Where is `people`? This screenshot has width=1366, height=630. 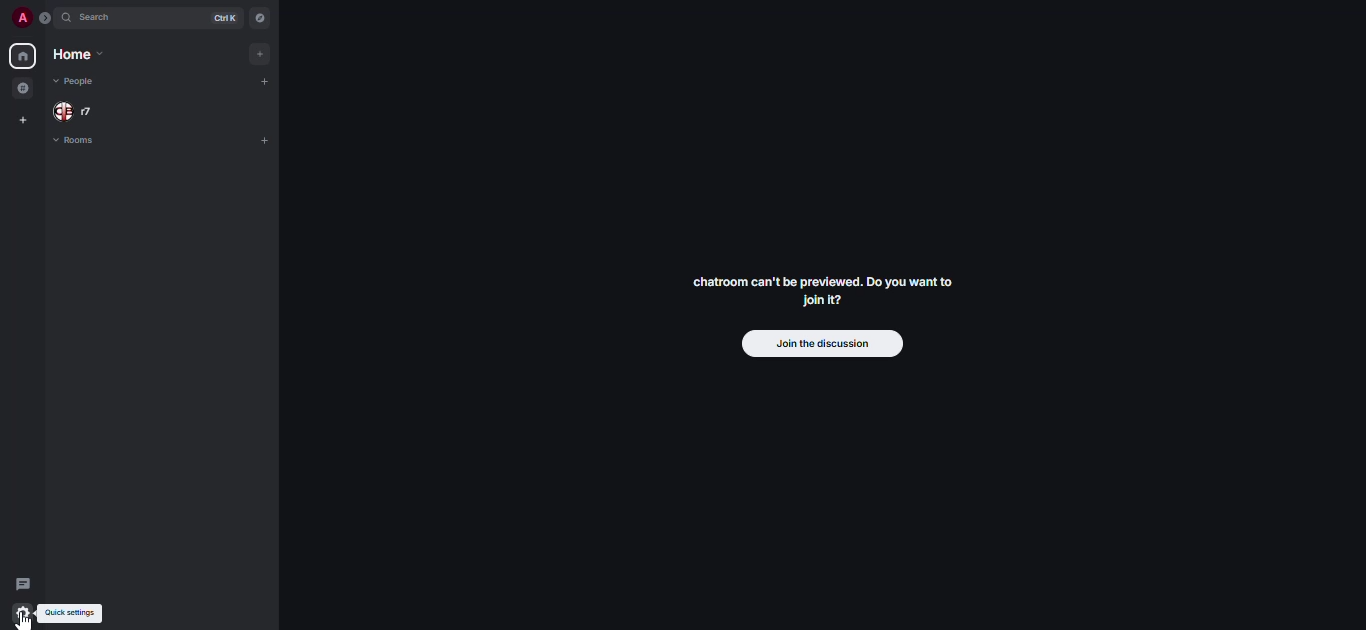
people is located at coordinates (82, 83).